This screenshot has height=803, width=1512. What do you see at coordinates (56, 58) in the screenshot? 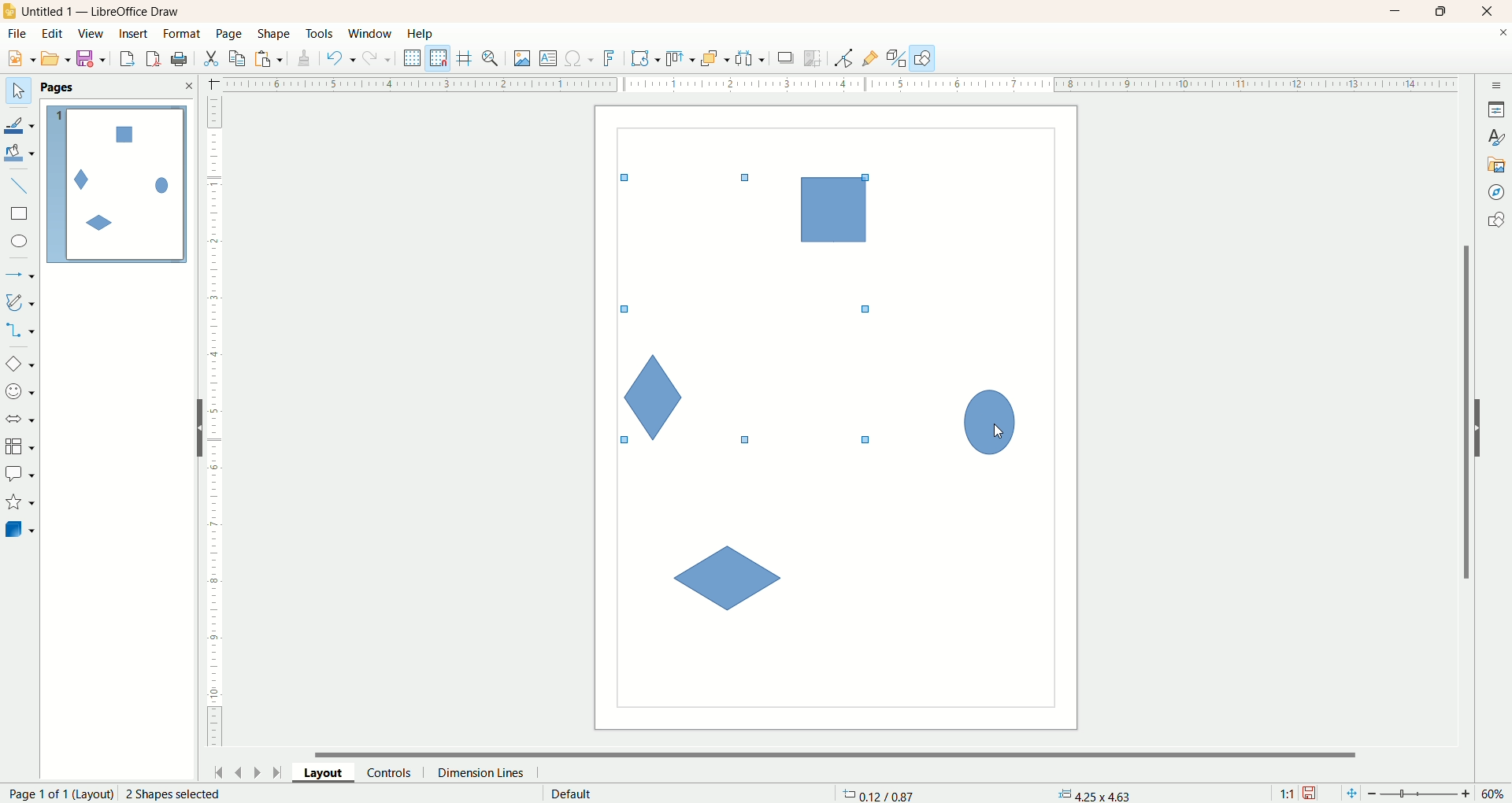
I see `open` at bounding box center [56, 58].